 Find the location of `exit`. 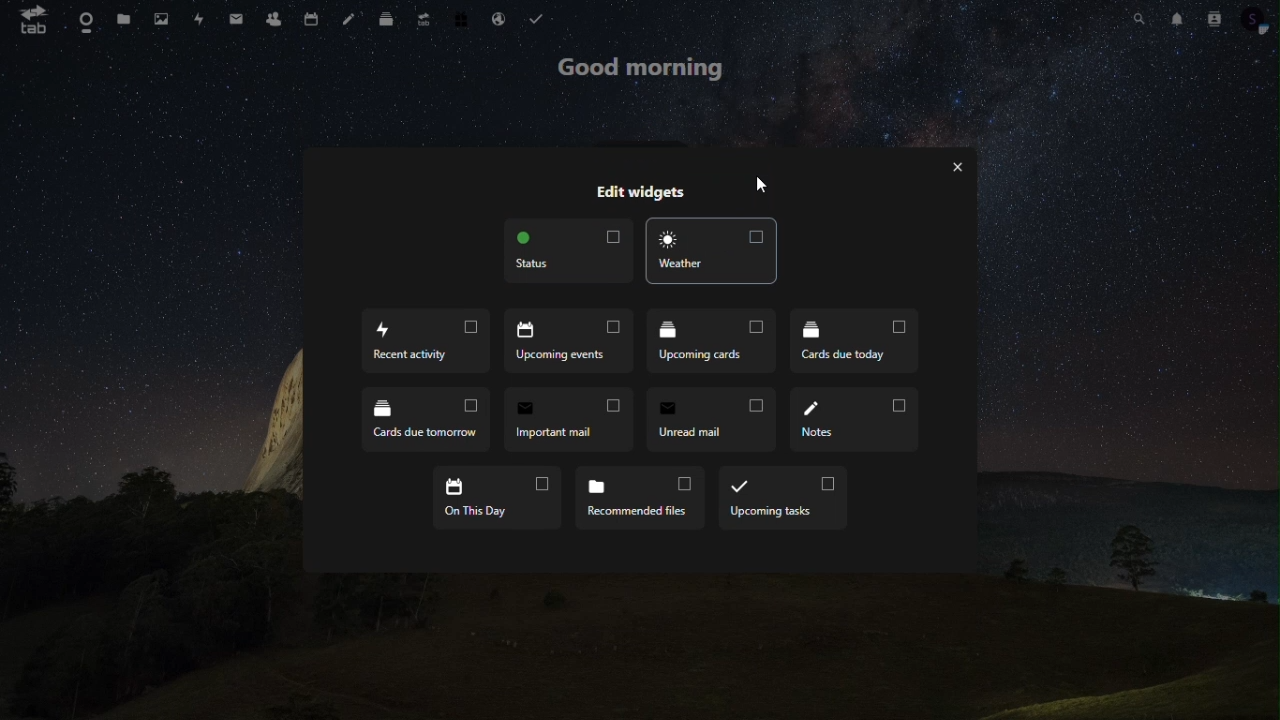

exit is located at coordinates (956, 169).